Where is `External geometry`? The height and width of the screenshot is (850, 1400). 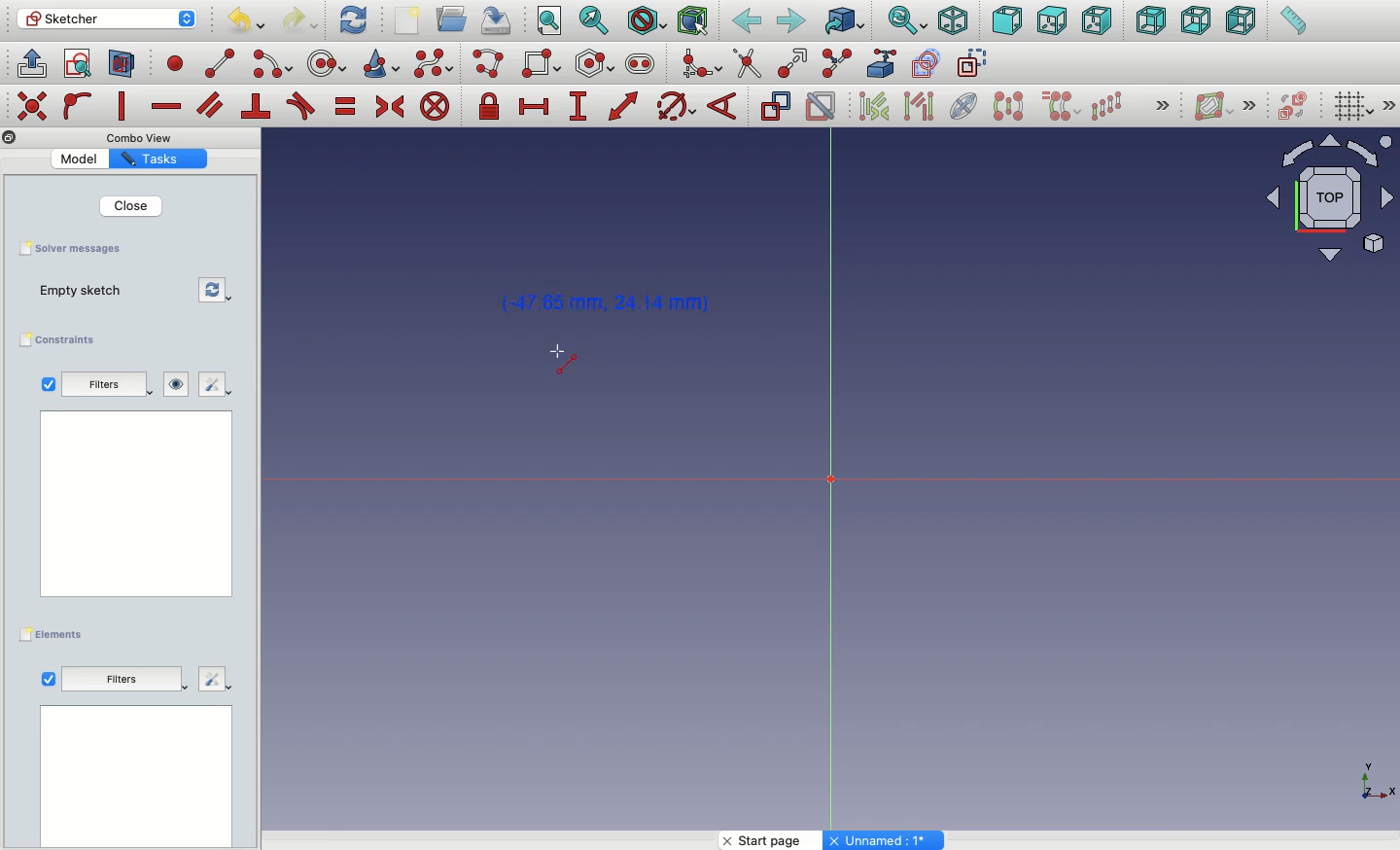 External geometry is located at coordinates (879, 62).